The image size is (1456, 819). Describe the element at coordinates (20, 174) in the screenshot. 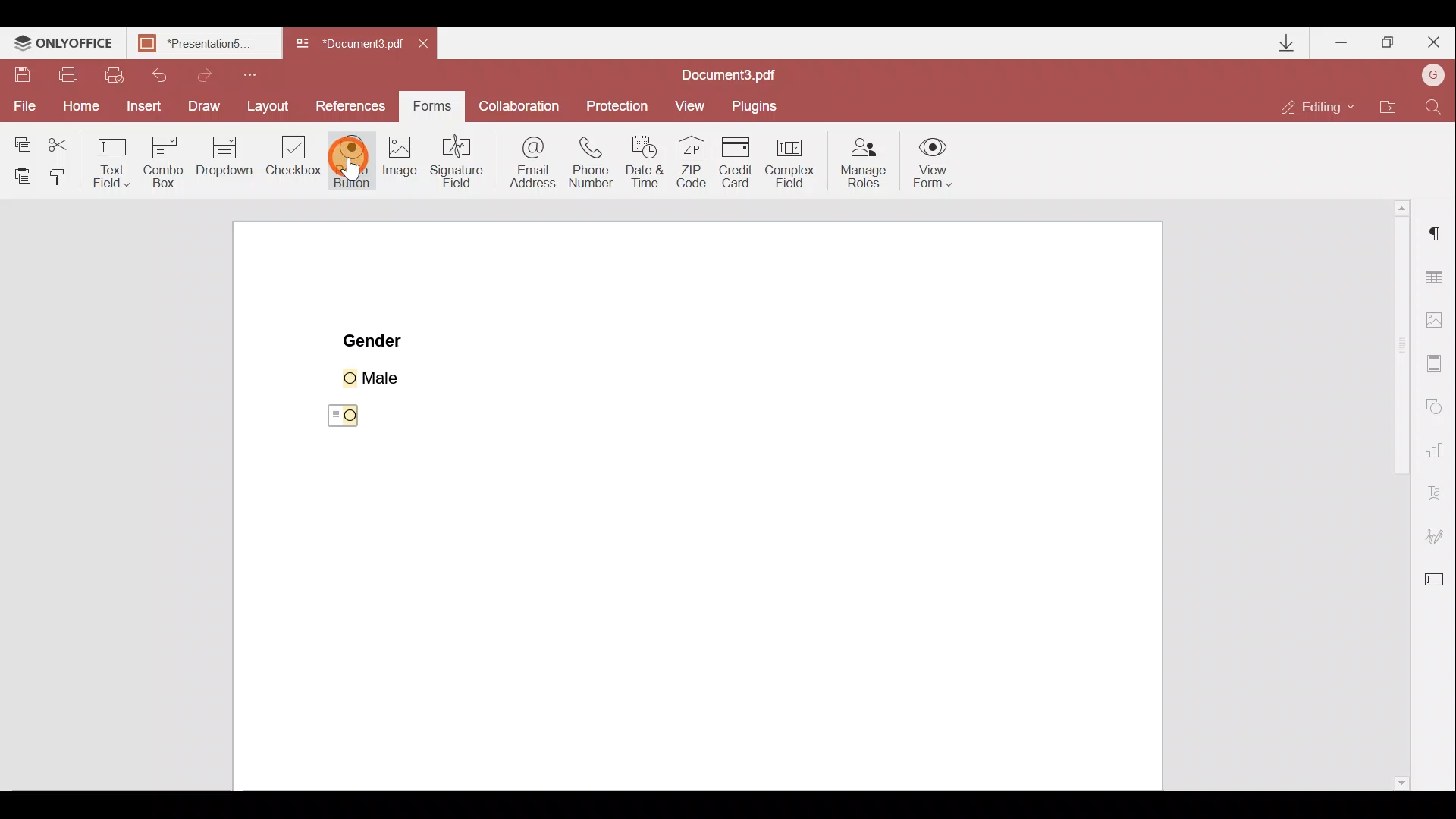

I see `Paste` at that location.